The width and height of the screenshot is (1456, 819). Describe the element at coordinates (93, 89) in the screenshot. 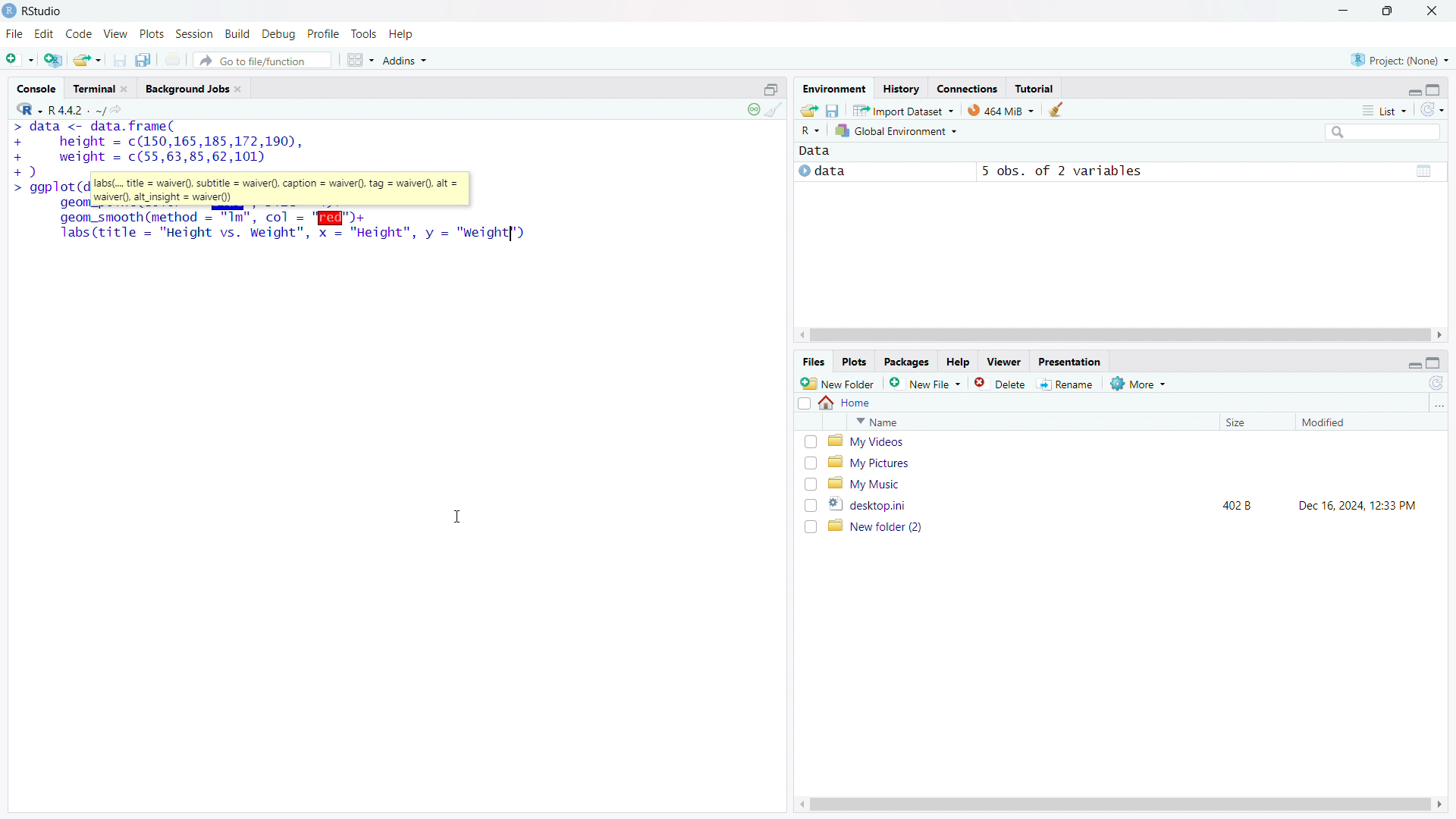

I see `terminal` at that location.